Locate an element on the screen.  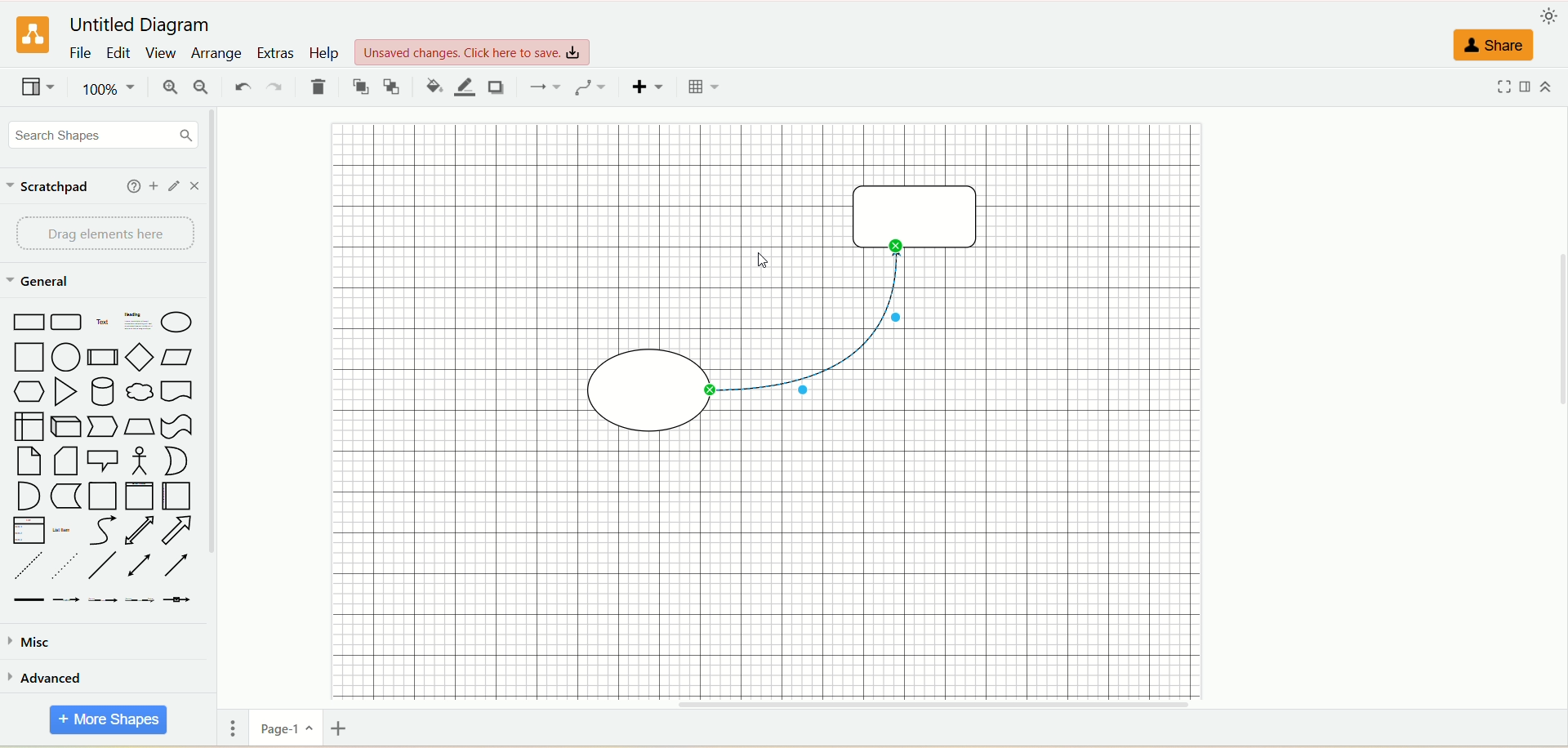
cursor is located at coordinates (761, 263).